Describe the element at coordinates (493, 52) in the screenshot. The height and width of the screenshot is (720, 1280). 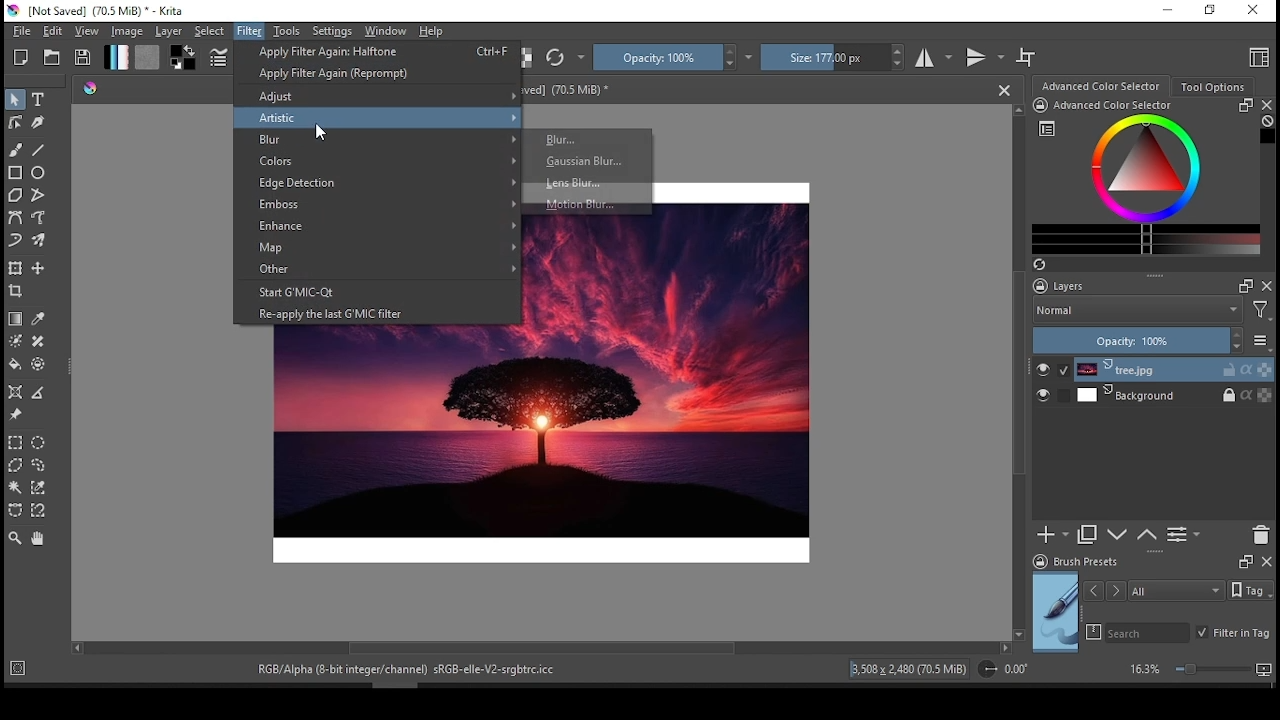
I see `Ctrl+F` at that location.